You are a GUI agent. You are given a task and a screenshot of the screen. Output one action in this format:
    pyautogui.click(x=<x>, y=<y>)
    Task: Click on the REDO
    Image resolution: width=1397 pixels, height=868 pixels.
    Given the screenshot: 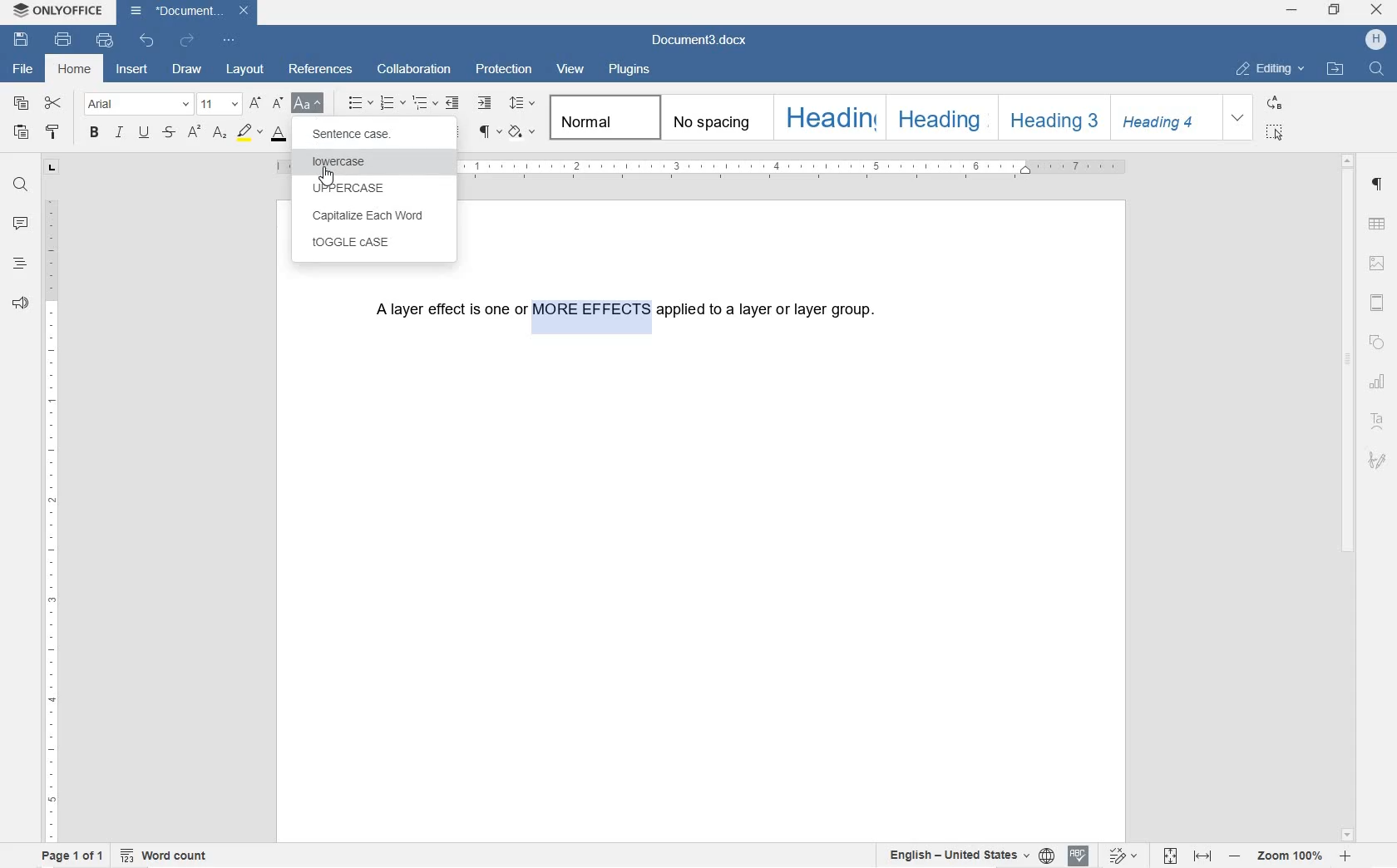 What is the action you would take?
    pyautogui.click(x=187, y=40)
    